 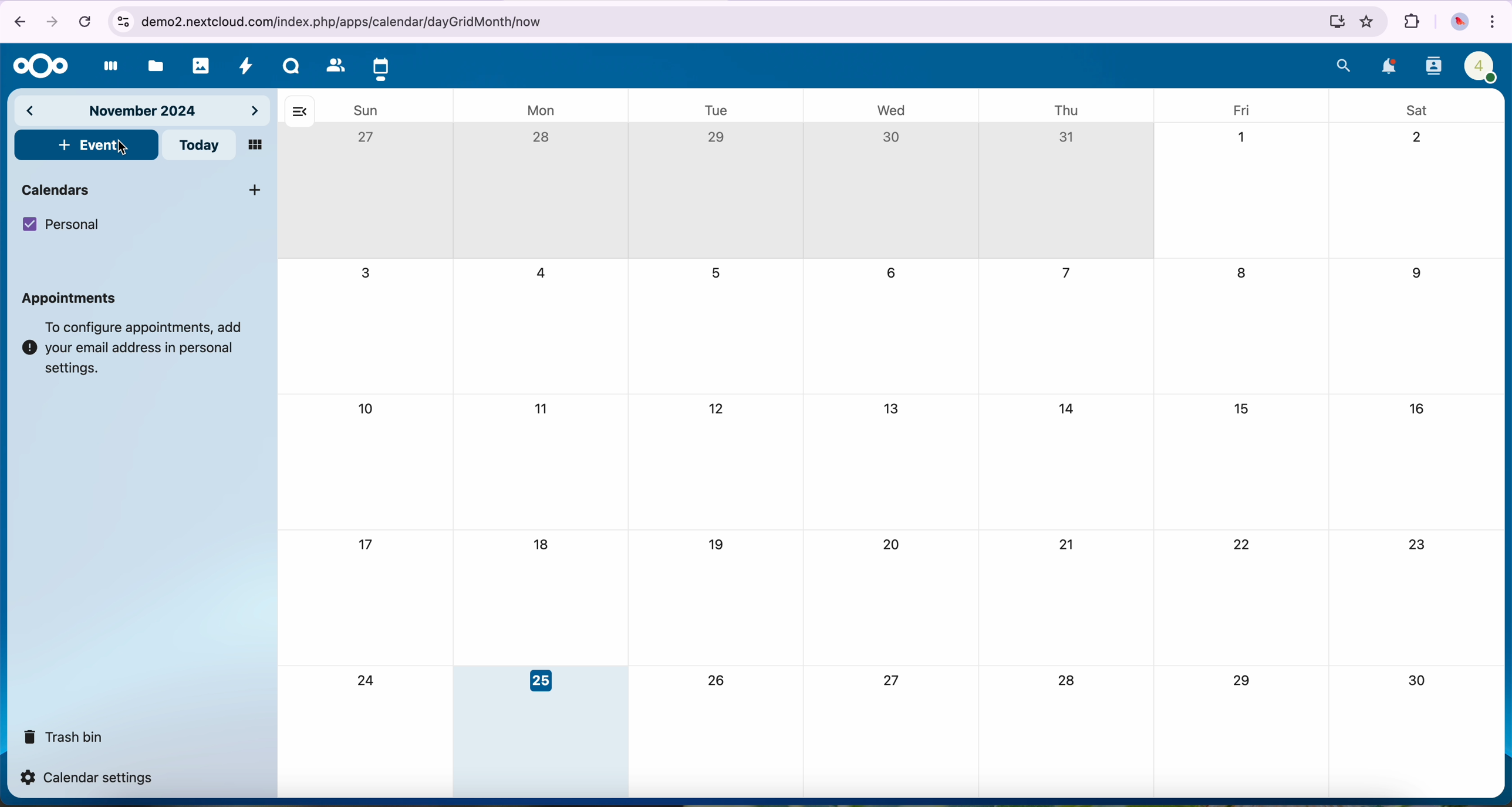 What do you see at coordinates (198, 146) in the screenshot?
I see `today` at bounding box center [198, 146].